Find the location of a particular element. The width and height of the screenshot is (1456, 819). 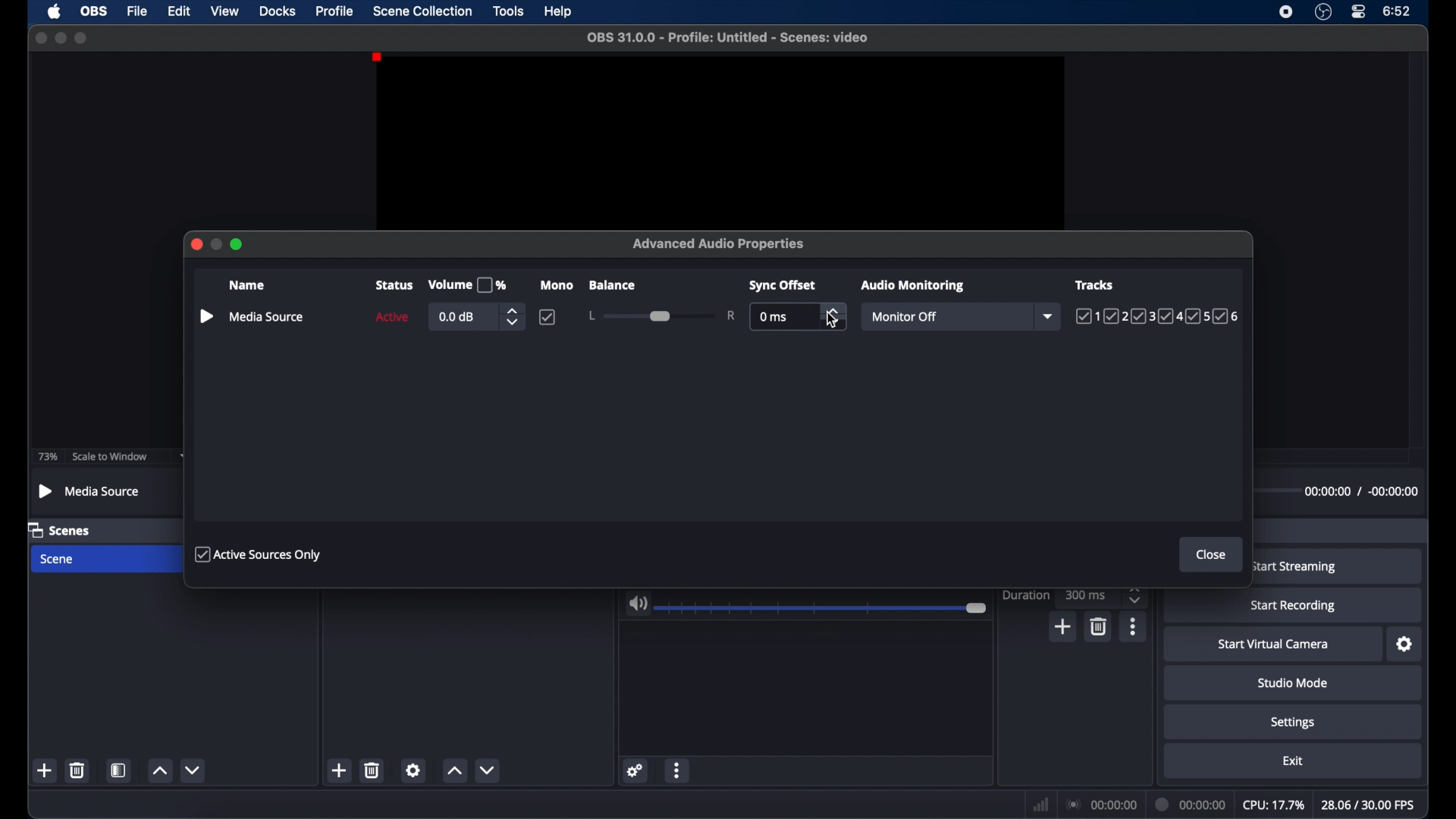

duration is located at coordinates (1191, 805).